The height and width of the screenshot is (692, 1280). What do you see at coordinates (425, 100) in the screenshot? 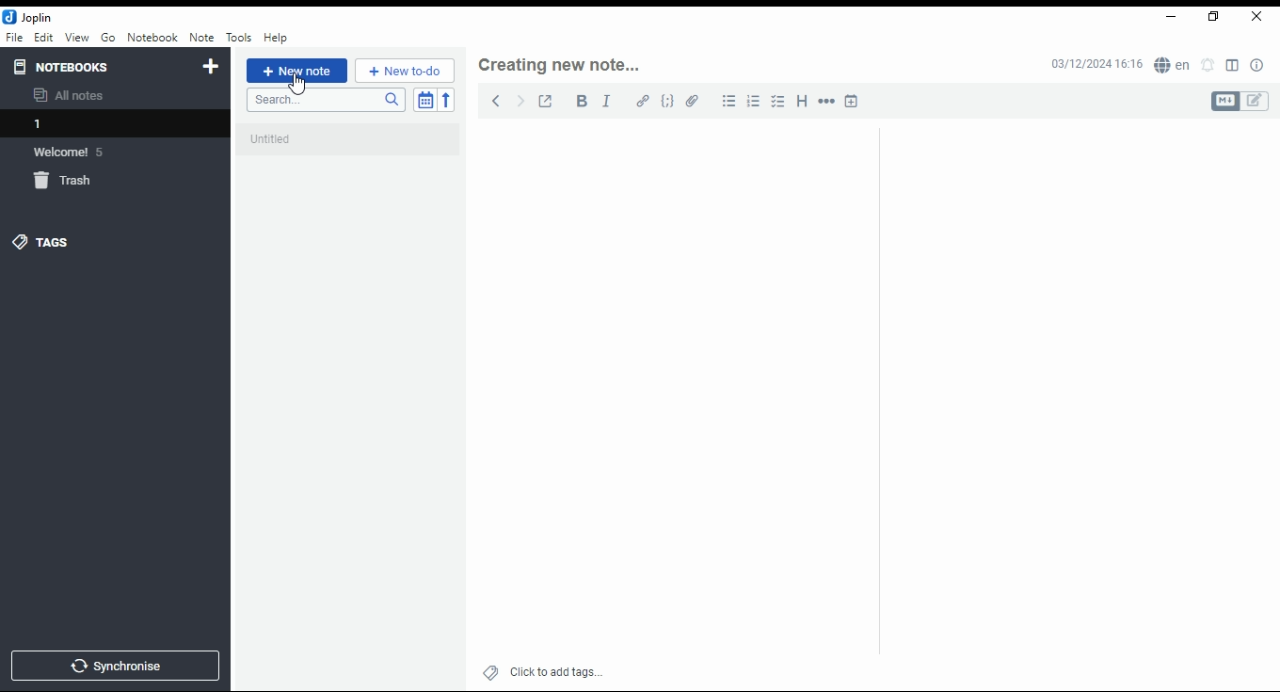
I see `toggle sort order field` at bounding box center [425, 100].